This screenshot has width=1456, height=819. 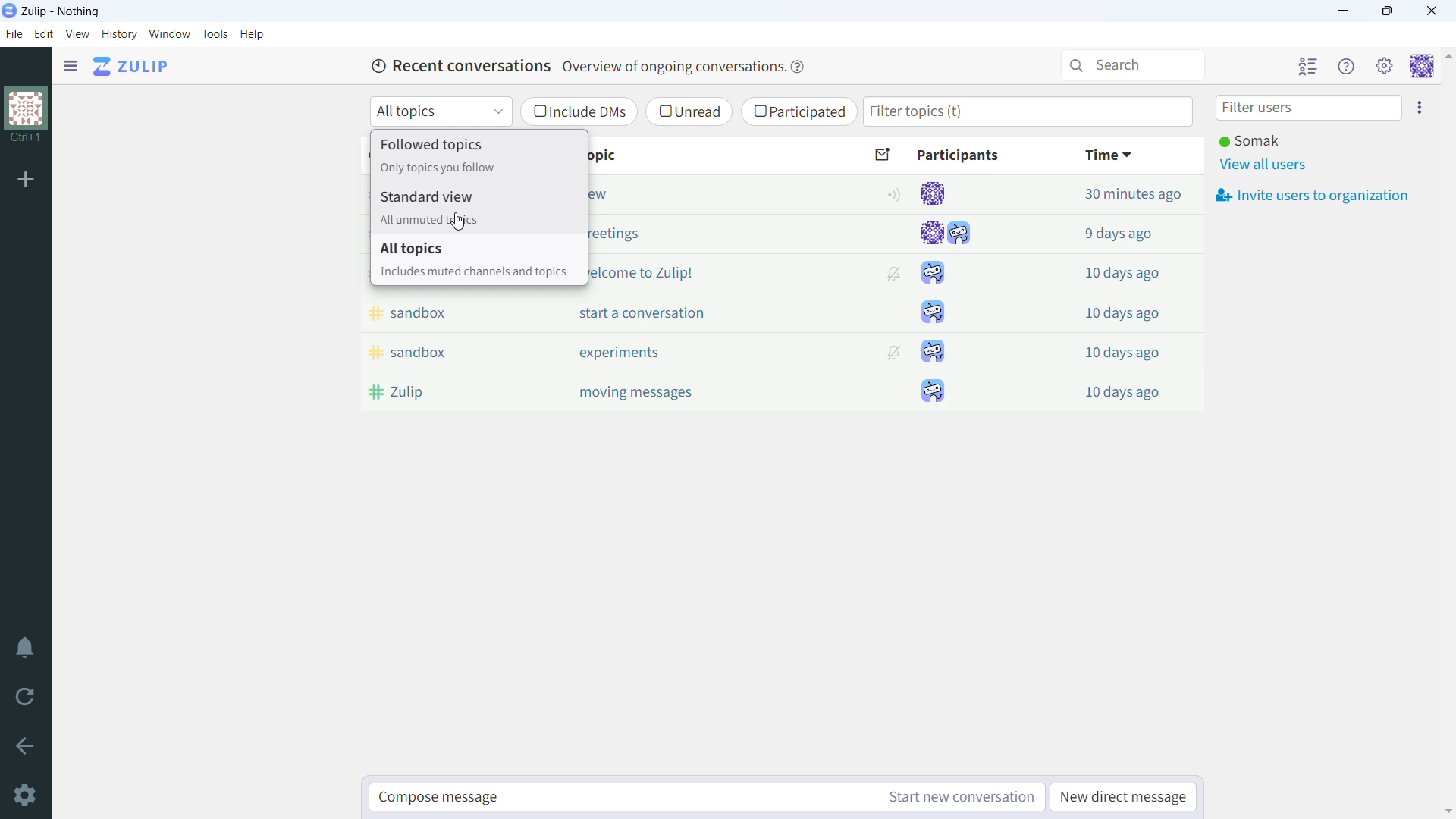 I want to click on cursor, so click(x=459, y=221).